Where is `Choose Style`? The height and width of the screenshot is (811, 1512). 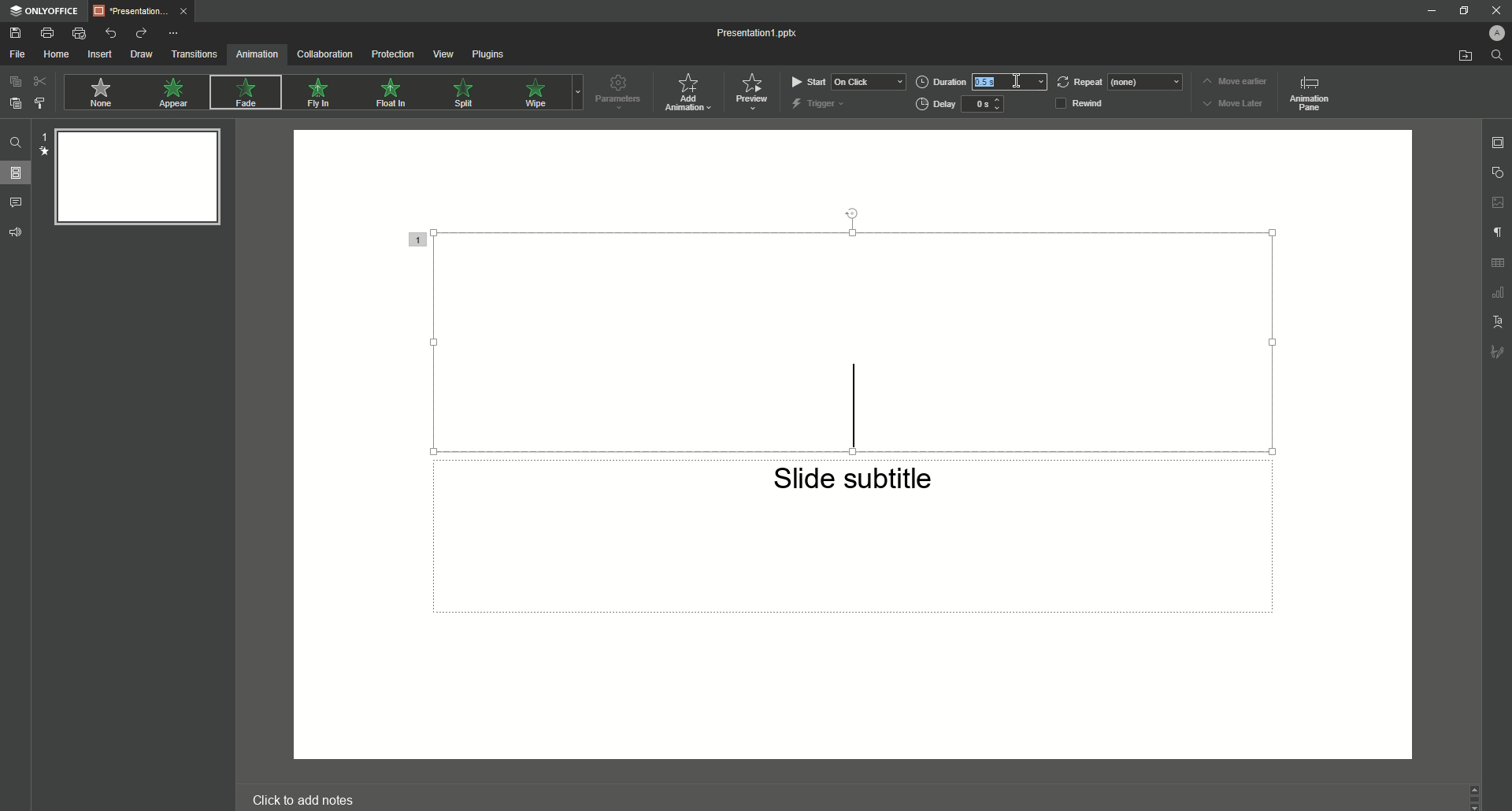
Choose Style is located at coordinates (40, 103).